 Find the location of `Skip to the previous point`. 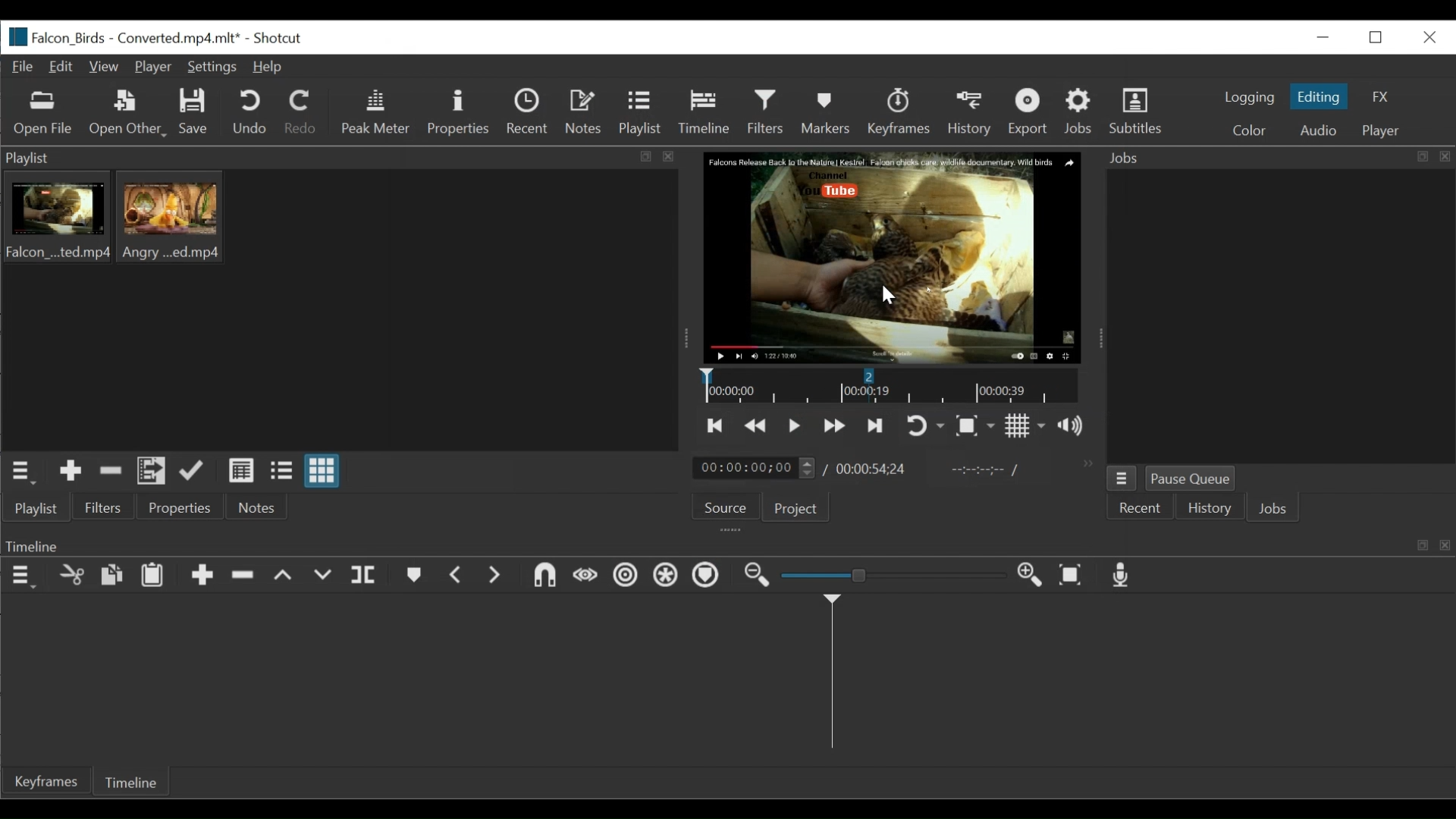

Skip to the previous point is located at coordinates (718, 428).